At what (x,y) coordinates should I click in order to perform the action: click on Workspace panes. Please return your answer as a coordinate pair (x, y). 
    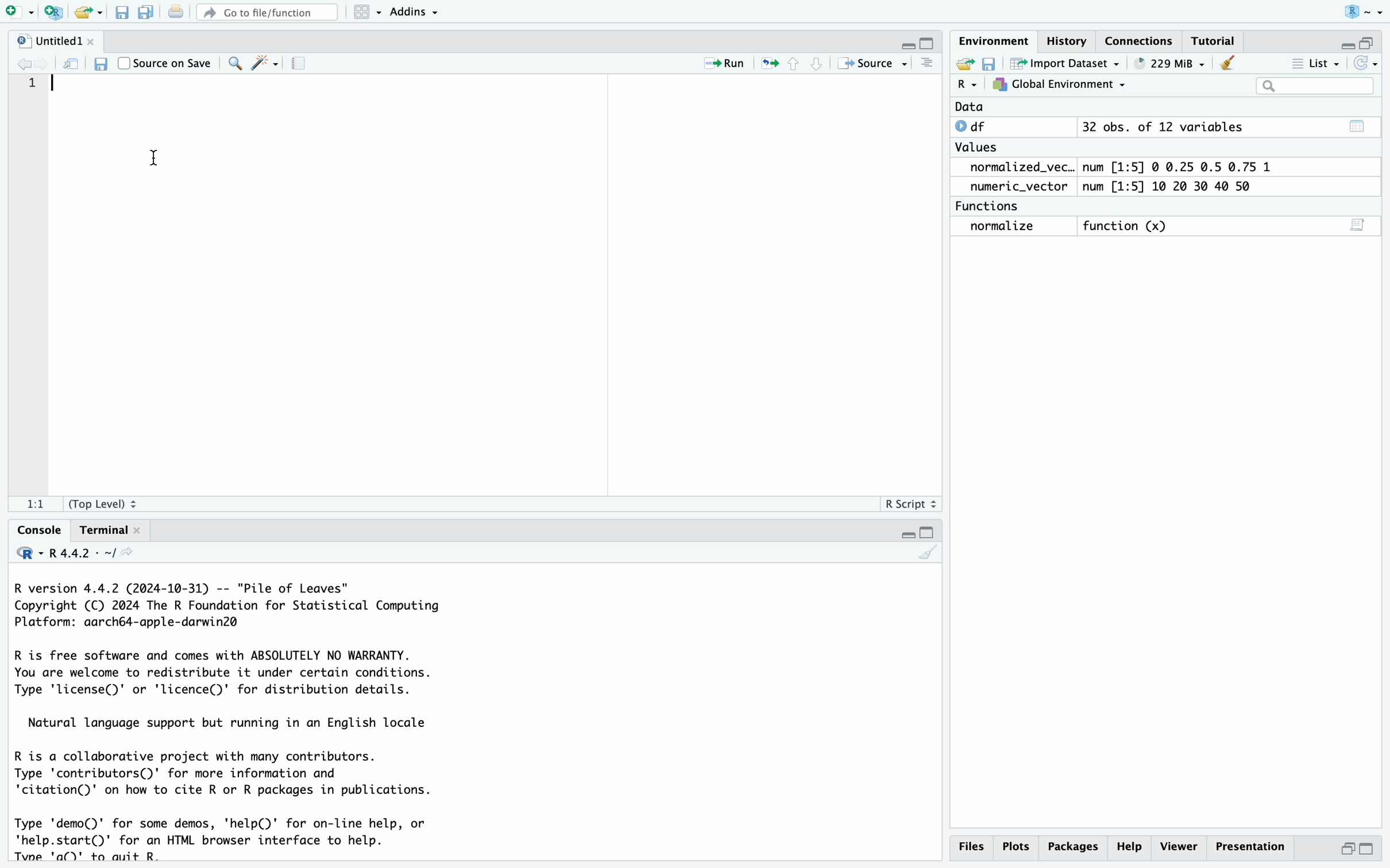
    Looking at the image, I should click on (363, 13).